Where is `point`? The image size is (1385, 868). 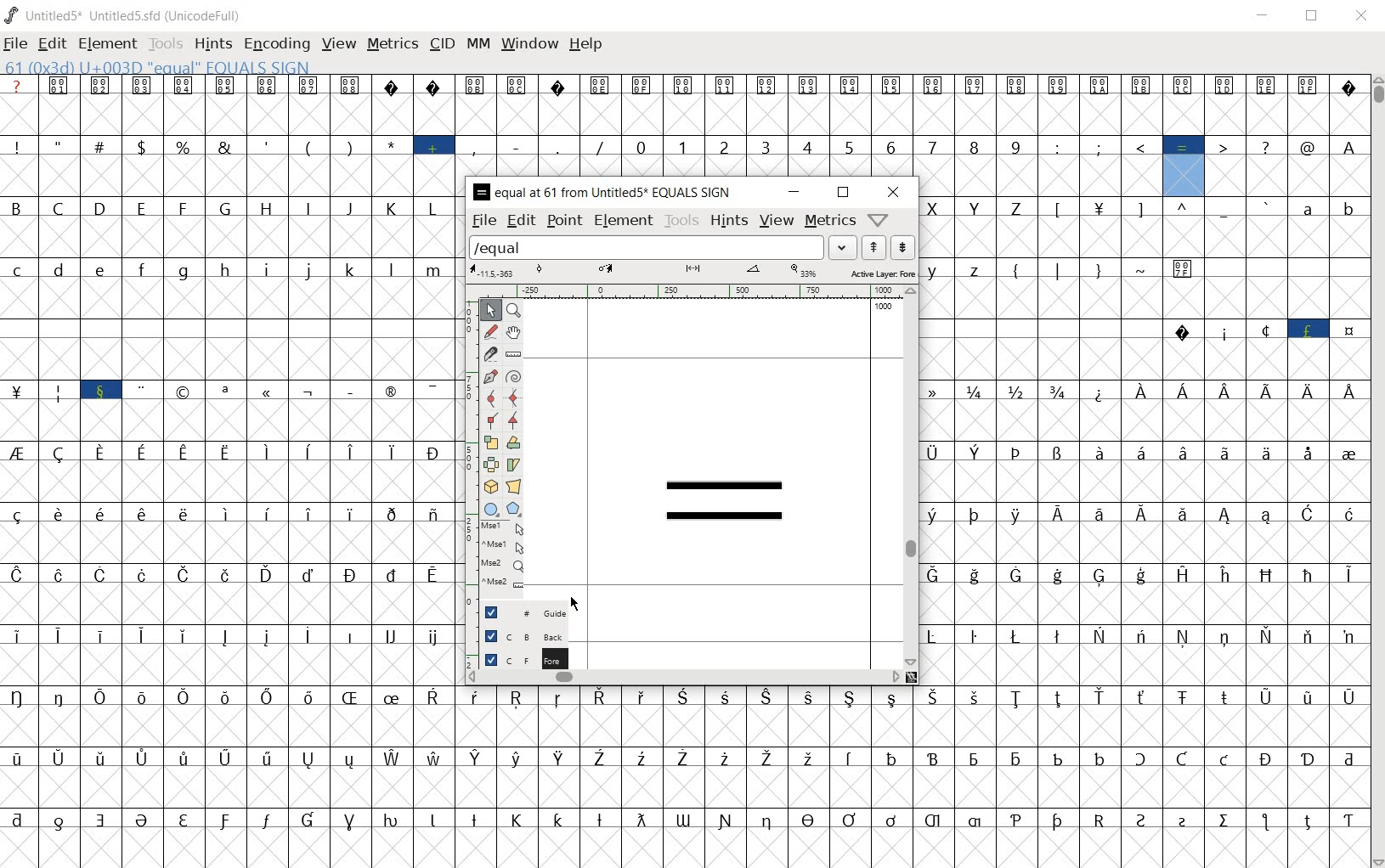 point is located at coordinates (562, 221).